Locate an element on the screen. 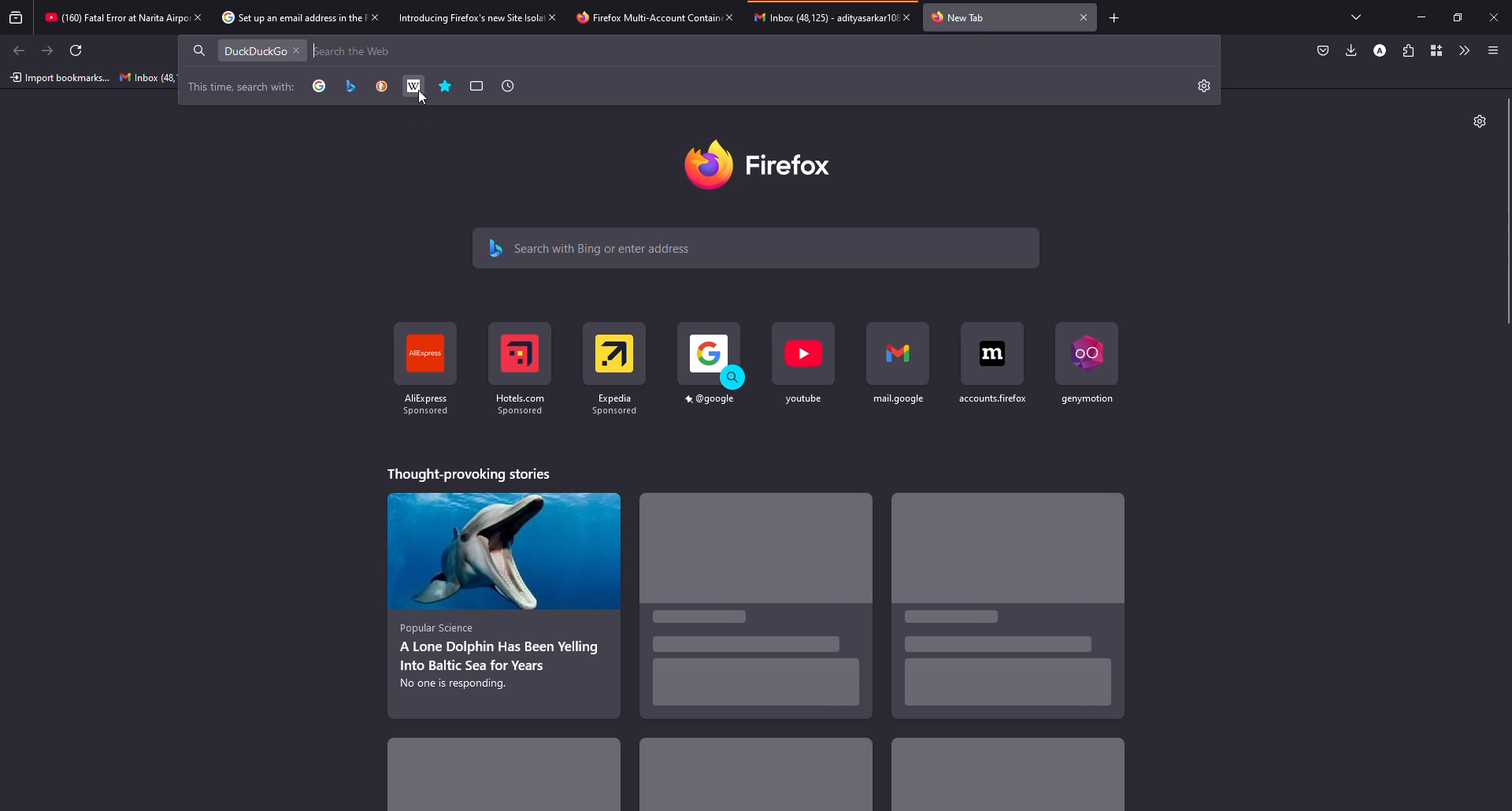  downloads is located at coordinates (1351, 50).